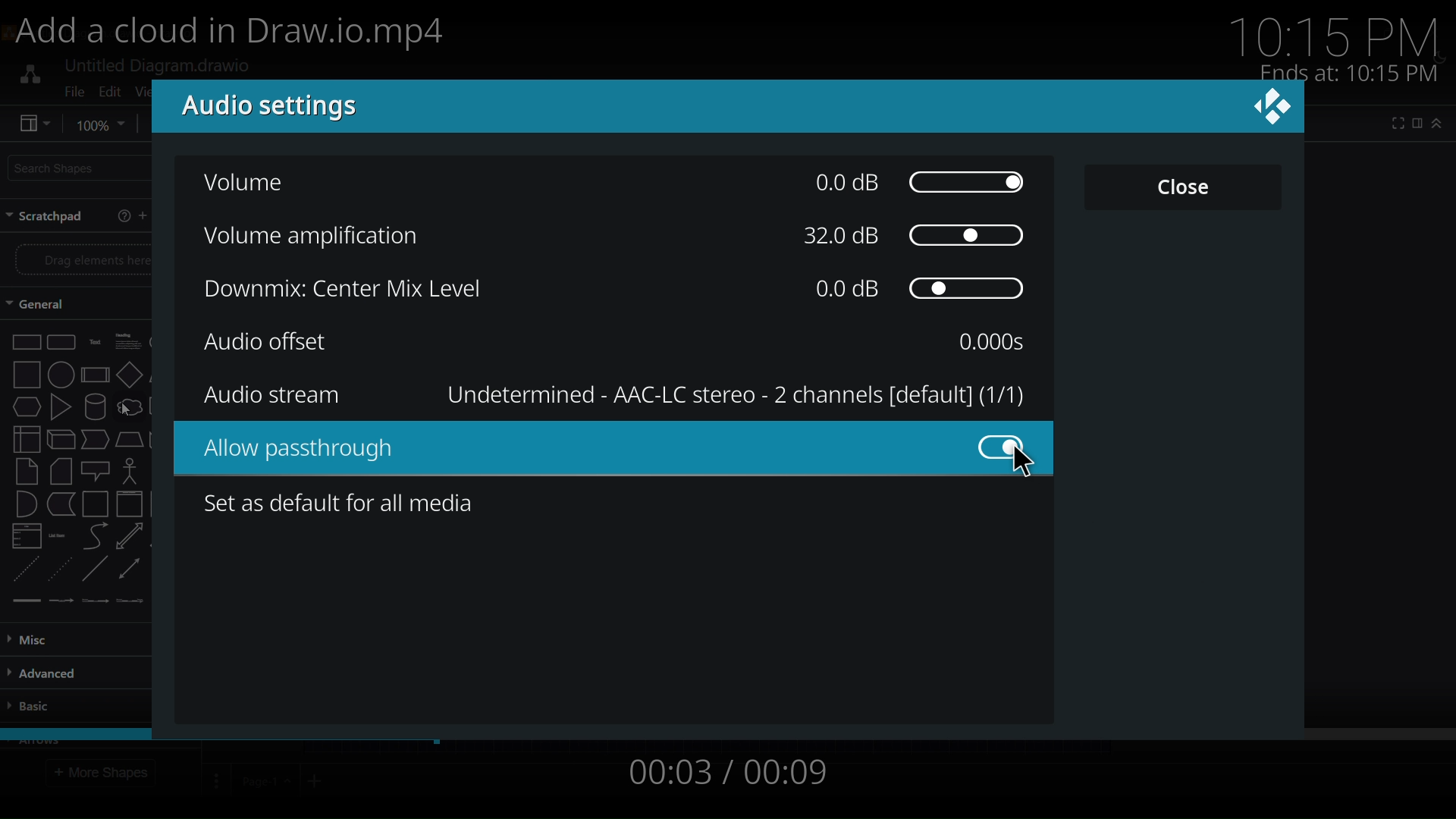 The width and height of the screenshot is (1456, 819). What do you see at coordinates (923, 290) in the screenshot?
I see `0.0 dB` at bounding box center [923, 290].